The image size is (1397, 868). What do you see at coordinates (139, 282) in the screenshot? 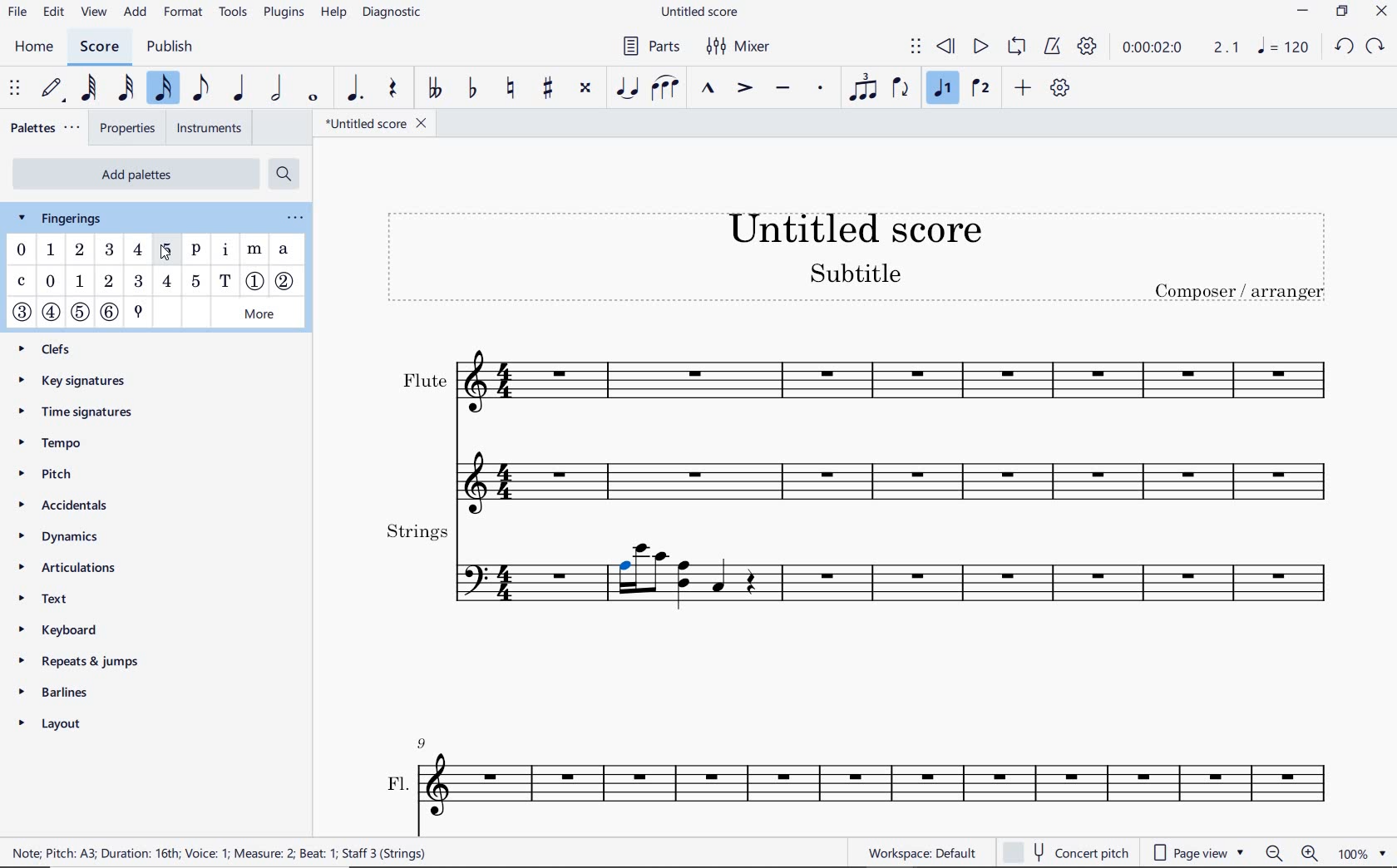
I see `LH GUITAR FINGERING 3` at bounding box center [139, 282].